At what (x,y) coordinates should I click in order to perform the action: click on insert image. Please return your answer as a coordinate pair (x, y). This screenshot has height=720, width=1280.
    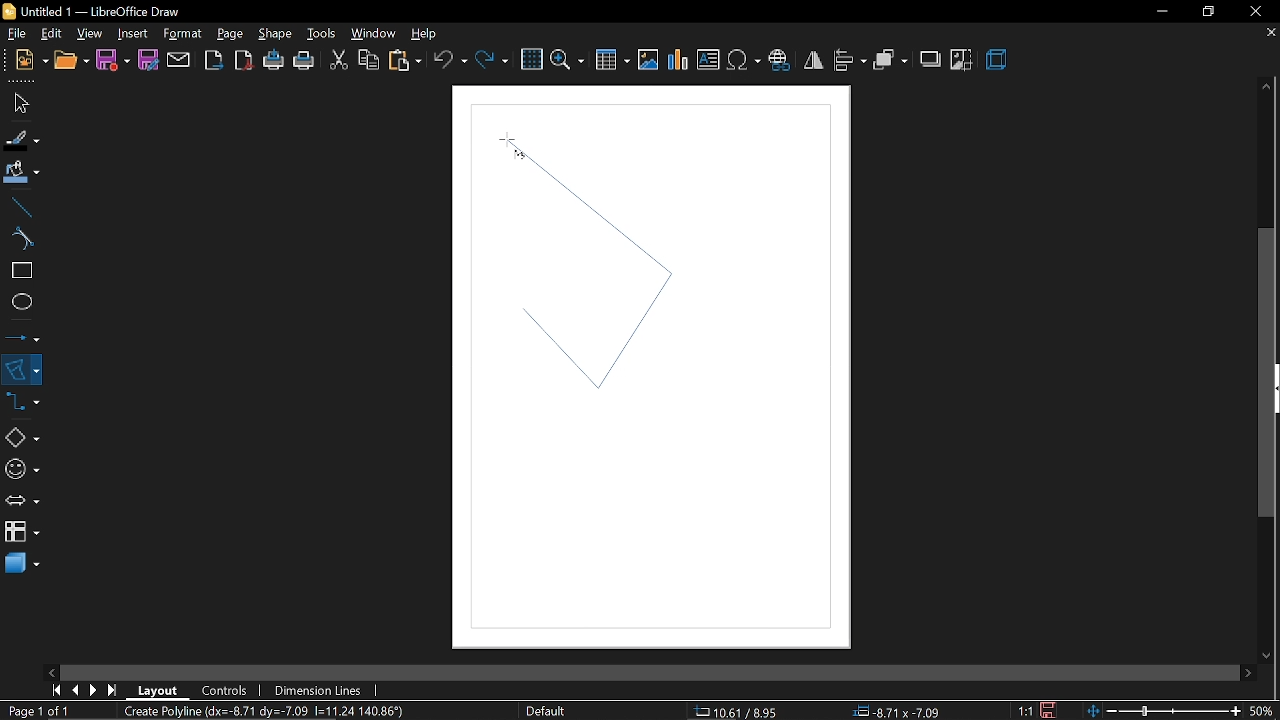
    Looking at the image, I should click on (650, 60).